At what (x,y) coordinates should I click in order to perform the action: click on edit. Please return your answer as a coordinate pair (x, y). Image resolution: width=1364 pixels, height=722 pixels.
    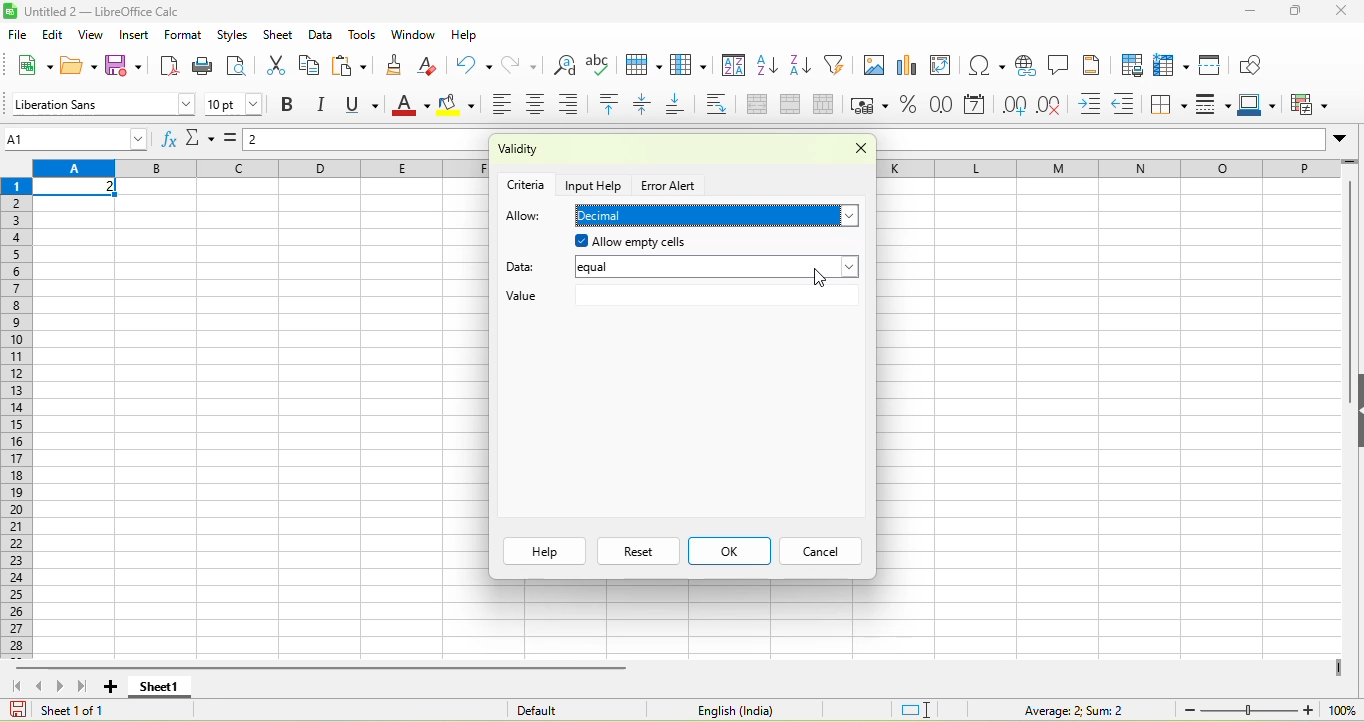
    Looking at the image, I should click on (53, 34).